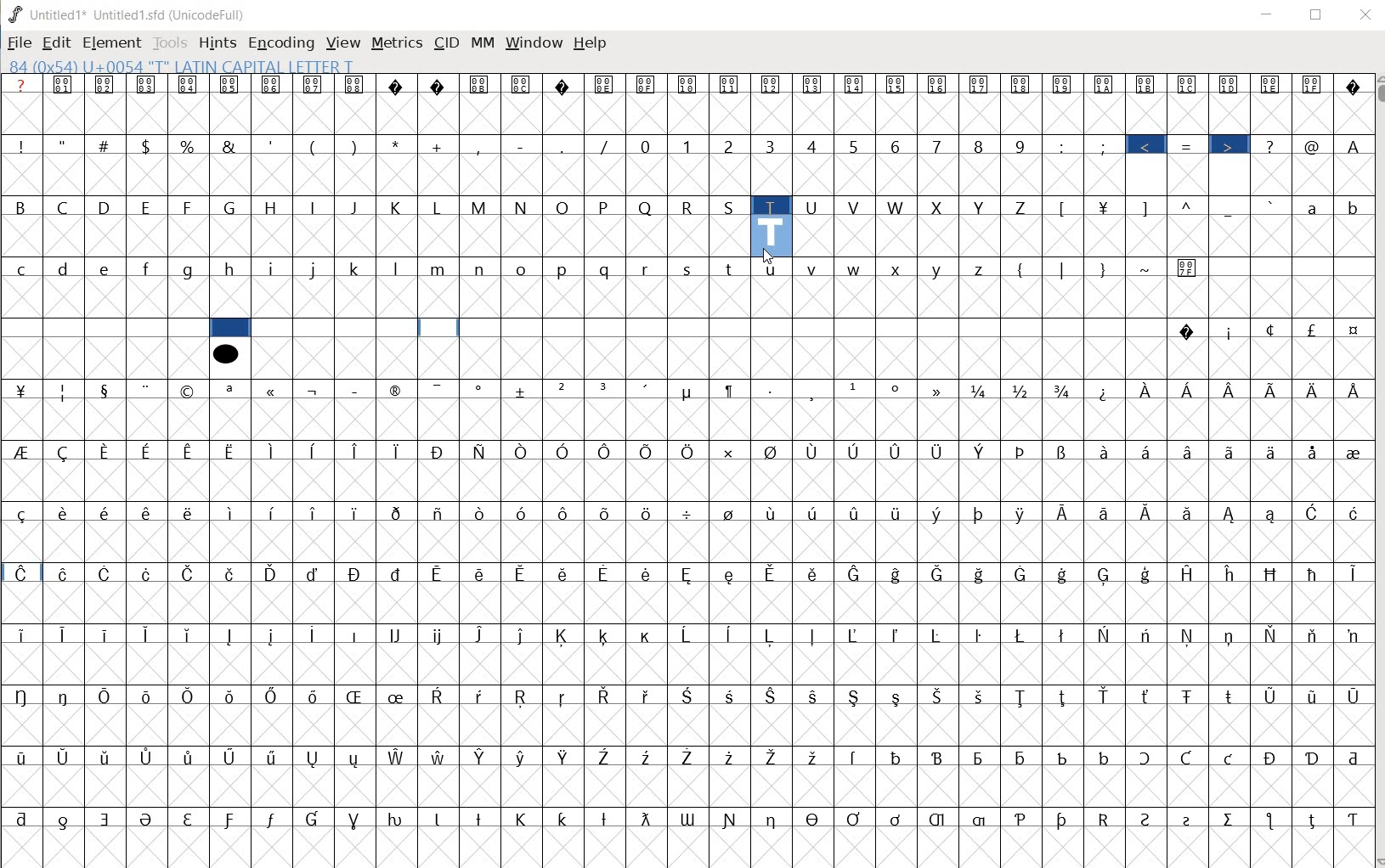 The width and height of the screenshot is (1385, 868). Describe the element at coordinates (274, 86) in the screenshot. I see `Symbol` at that location.